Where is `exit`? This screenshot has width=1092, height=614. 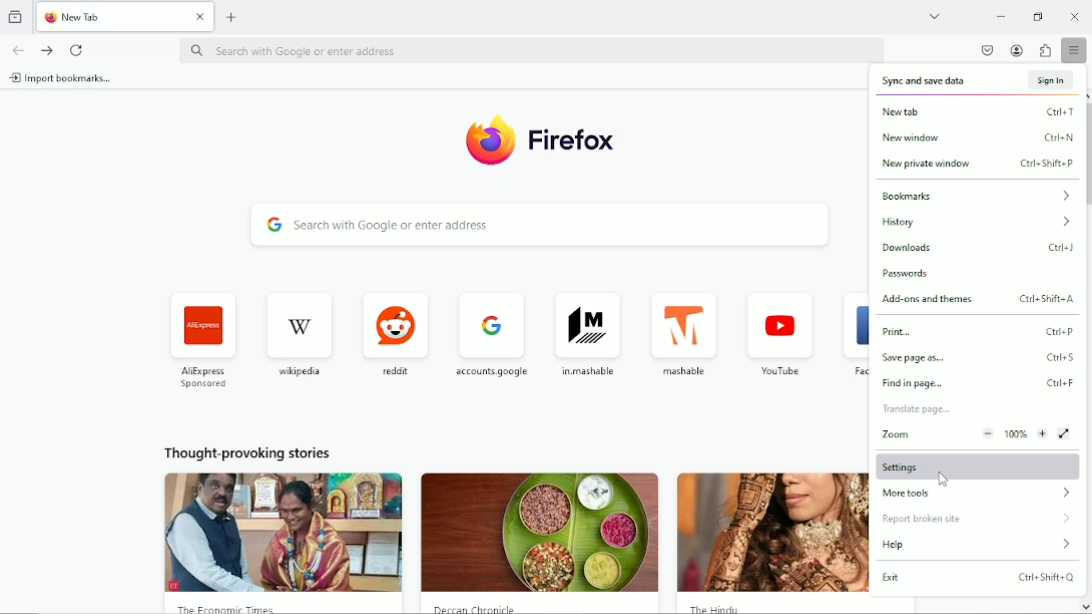
exit is located at coordinates (982, 577).